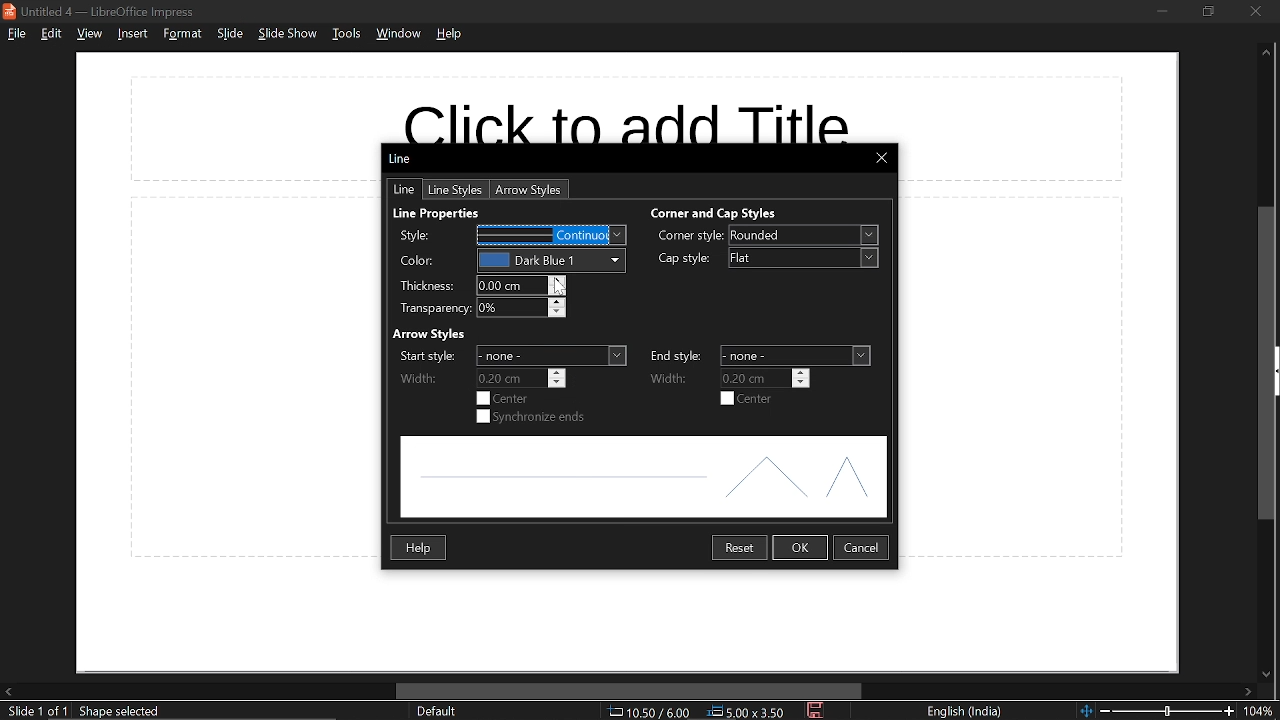 The width and height of the screenshot is (1280, 720). I want to click on line, so click(400, 189).